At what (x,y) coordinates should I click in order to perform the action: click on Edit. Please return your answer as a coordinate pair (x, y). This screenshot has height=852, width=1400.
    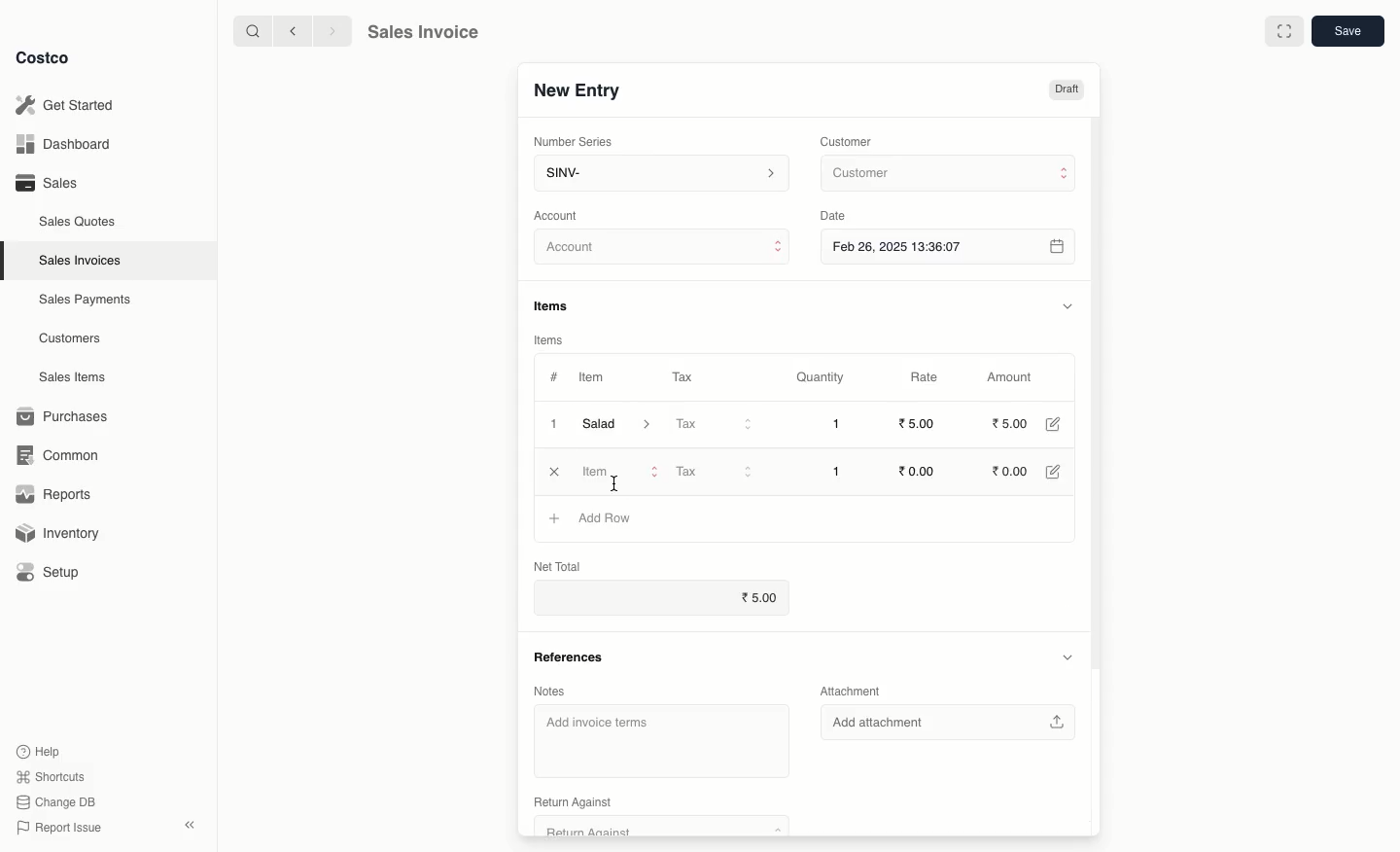
    Looking at the image, I should click on (1052, 424).